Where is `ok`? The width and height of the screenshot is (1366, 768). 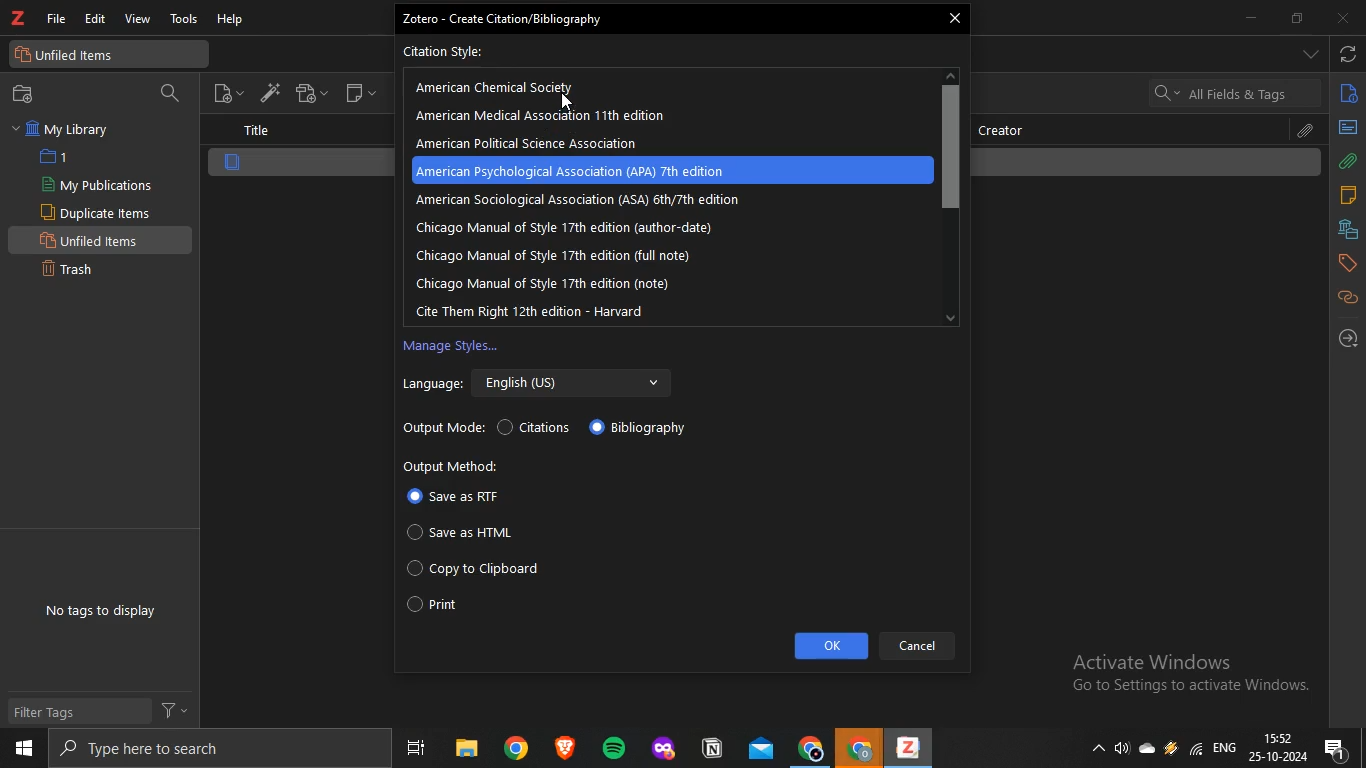 ok is located at coordinates (832, 646).